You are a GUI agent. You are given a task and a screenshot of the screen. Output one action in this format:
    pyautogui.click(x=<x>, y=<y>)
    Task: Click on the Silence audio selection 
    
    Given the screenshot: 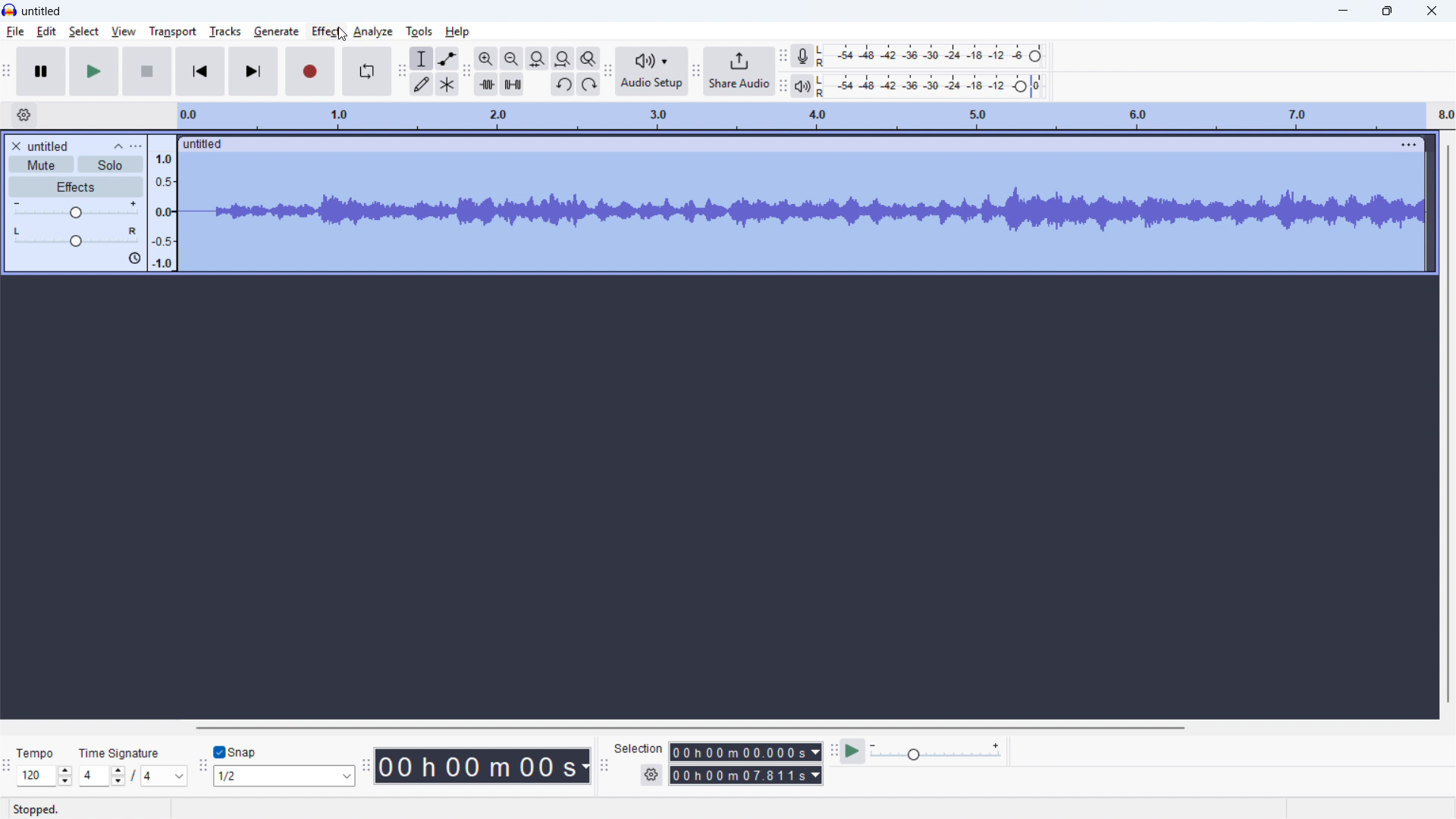 What is the action you would take?
    pyautogui.click(x=513, y=85)
    